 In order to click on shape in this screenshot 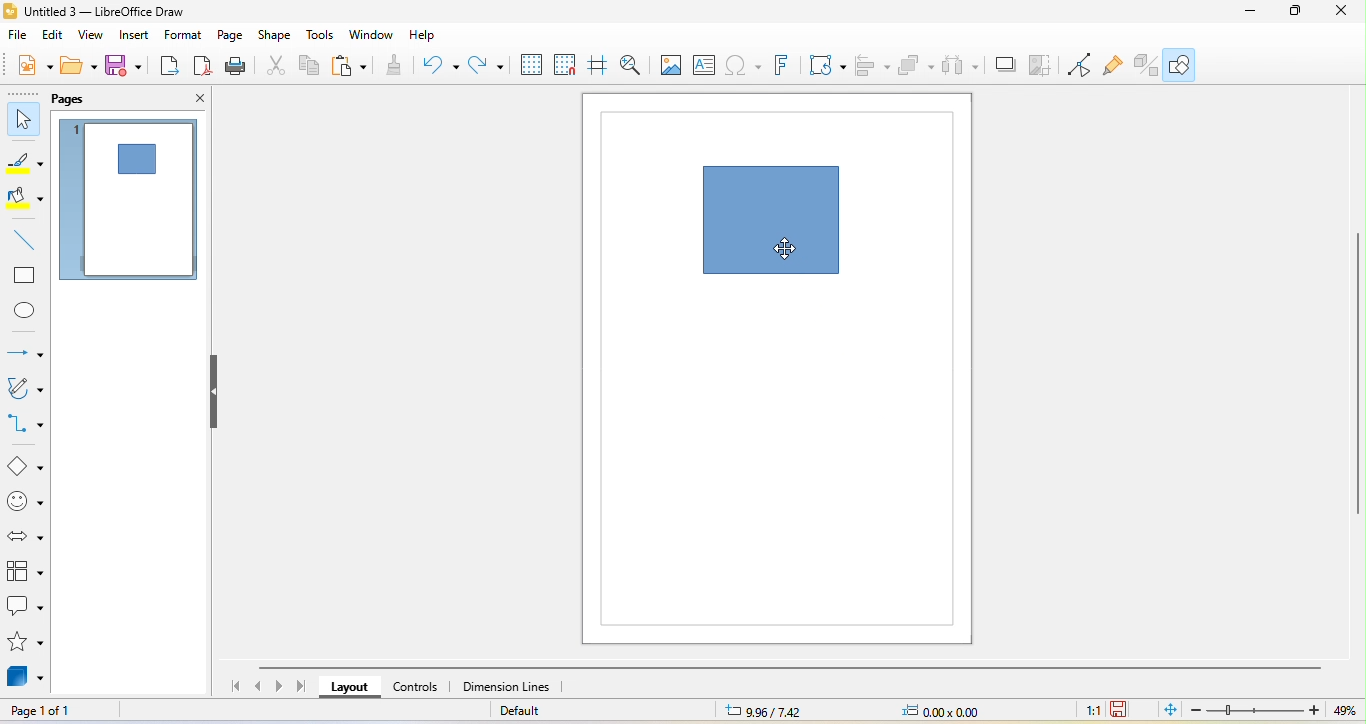, I will do `click(766, 221)`.